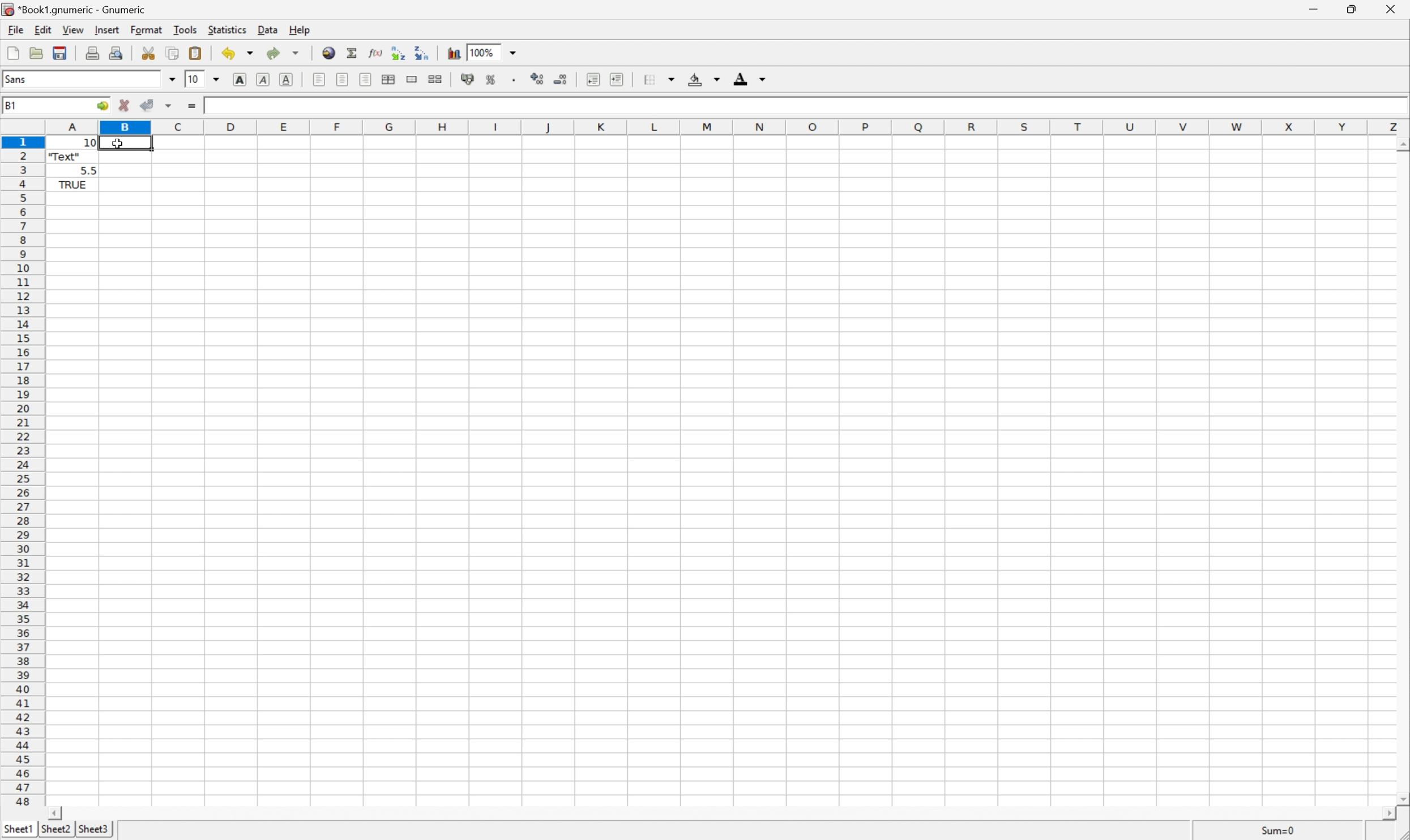  What do you see at coordinates (466, 79) in the screenshot?
I see `Format selection as accounting` at bounding box center [466, 79].